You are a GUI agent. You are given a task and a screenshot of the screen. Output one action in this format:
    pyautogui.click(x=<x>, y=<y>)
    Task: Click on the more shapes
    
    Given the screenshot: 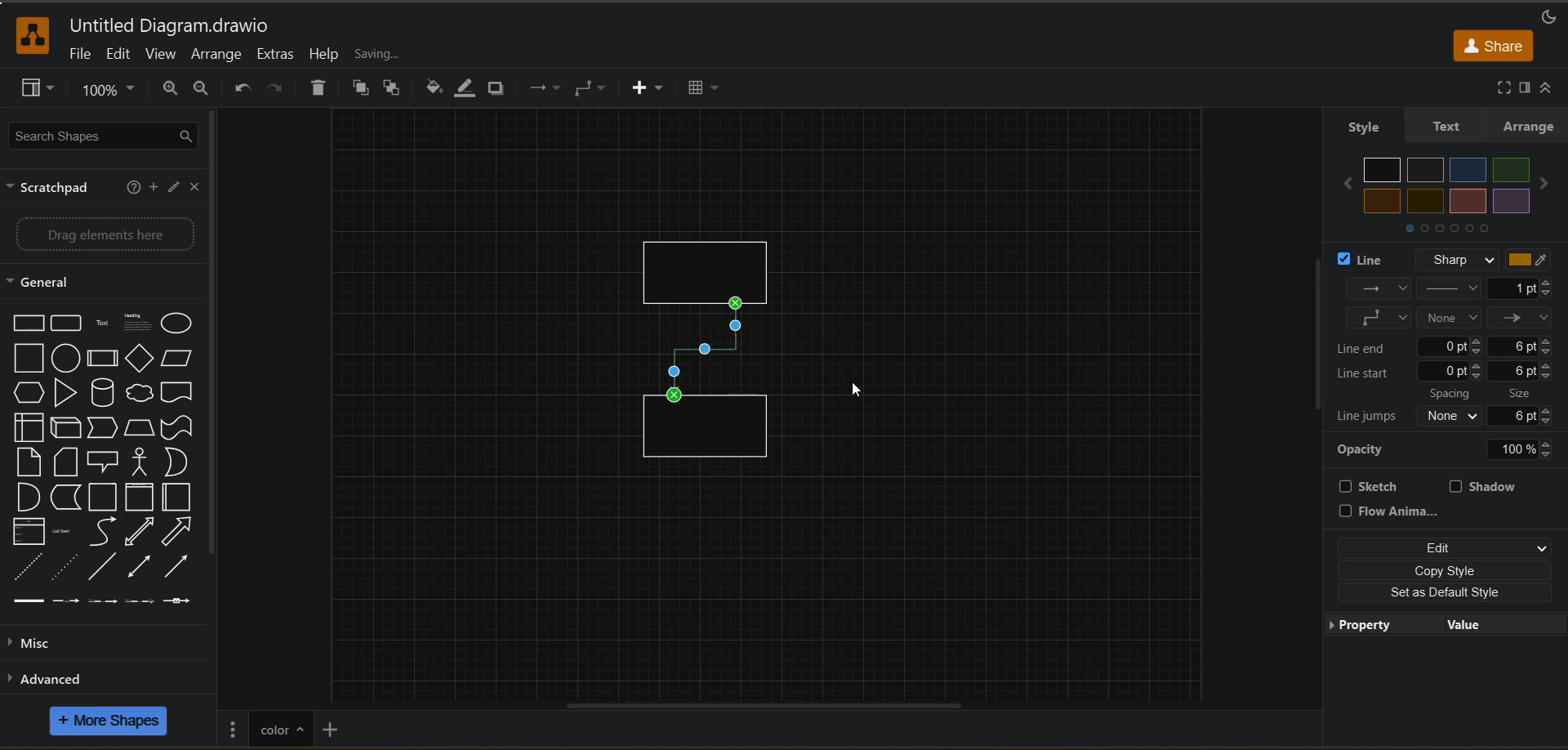 What is the action you would take?
    pyautogui.click(x=111, y=723)
    